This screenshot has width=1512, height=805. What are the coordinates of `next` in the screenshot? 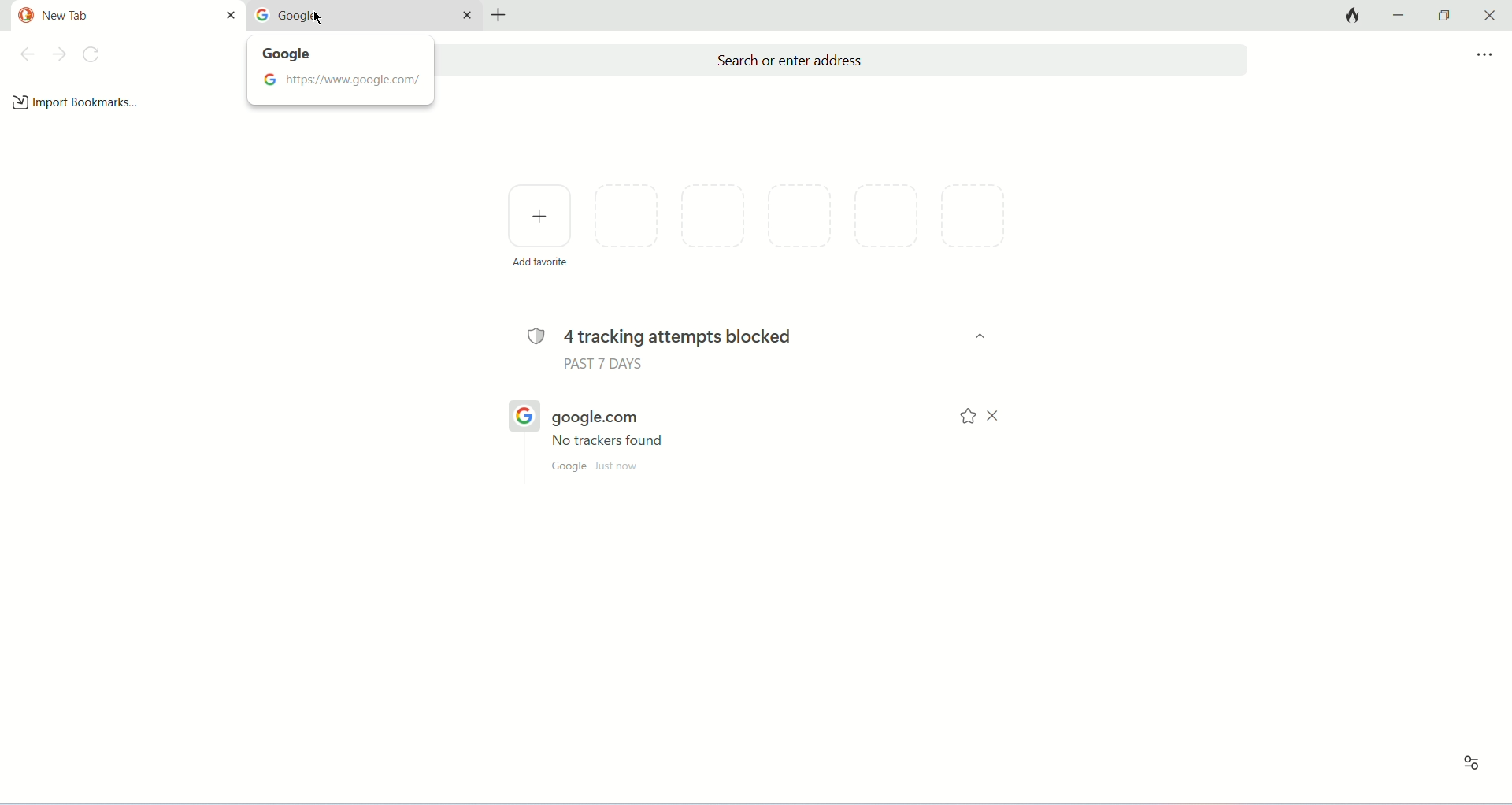 It's located at (57, 55).